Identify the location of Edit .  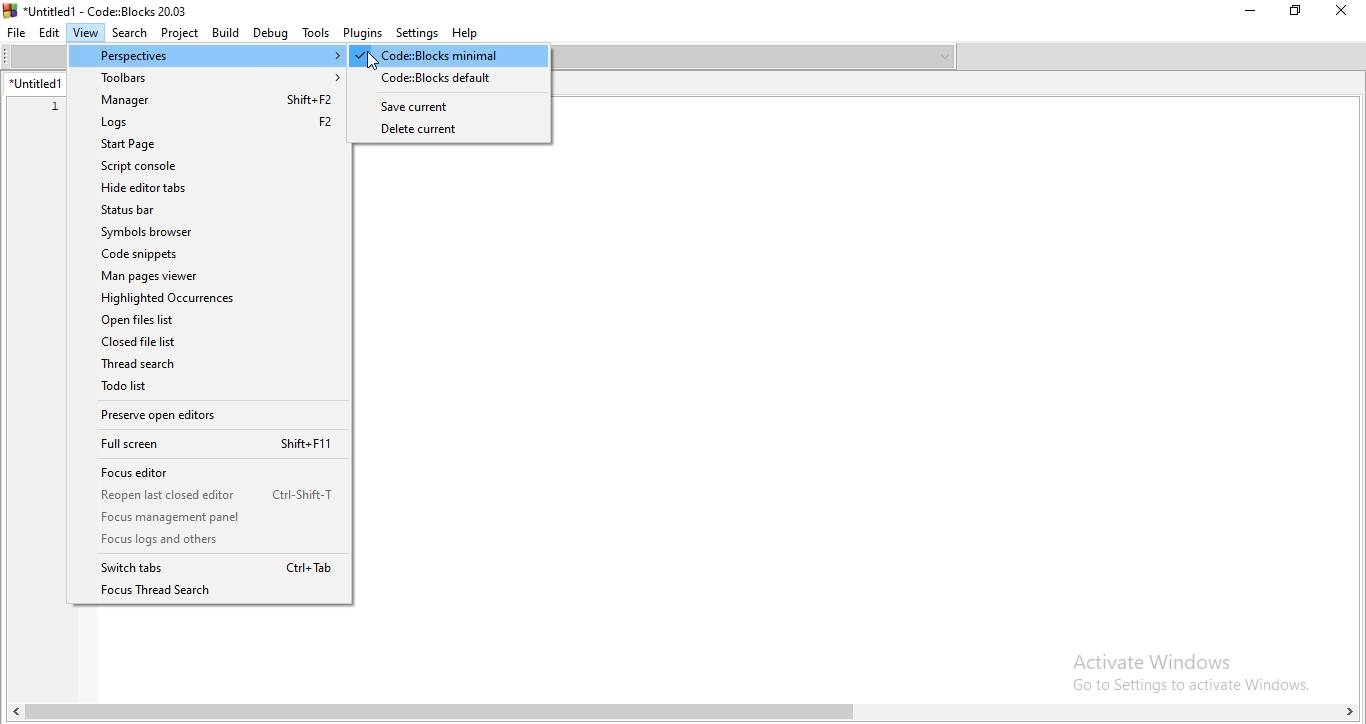
(50, 33).